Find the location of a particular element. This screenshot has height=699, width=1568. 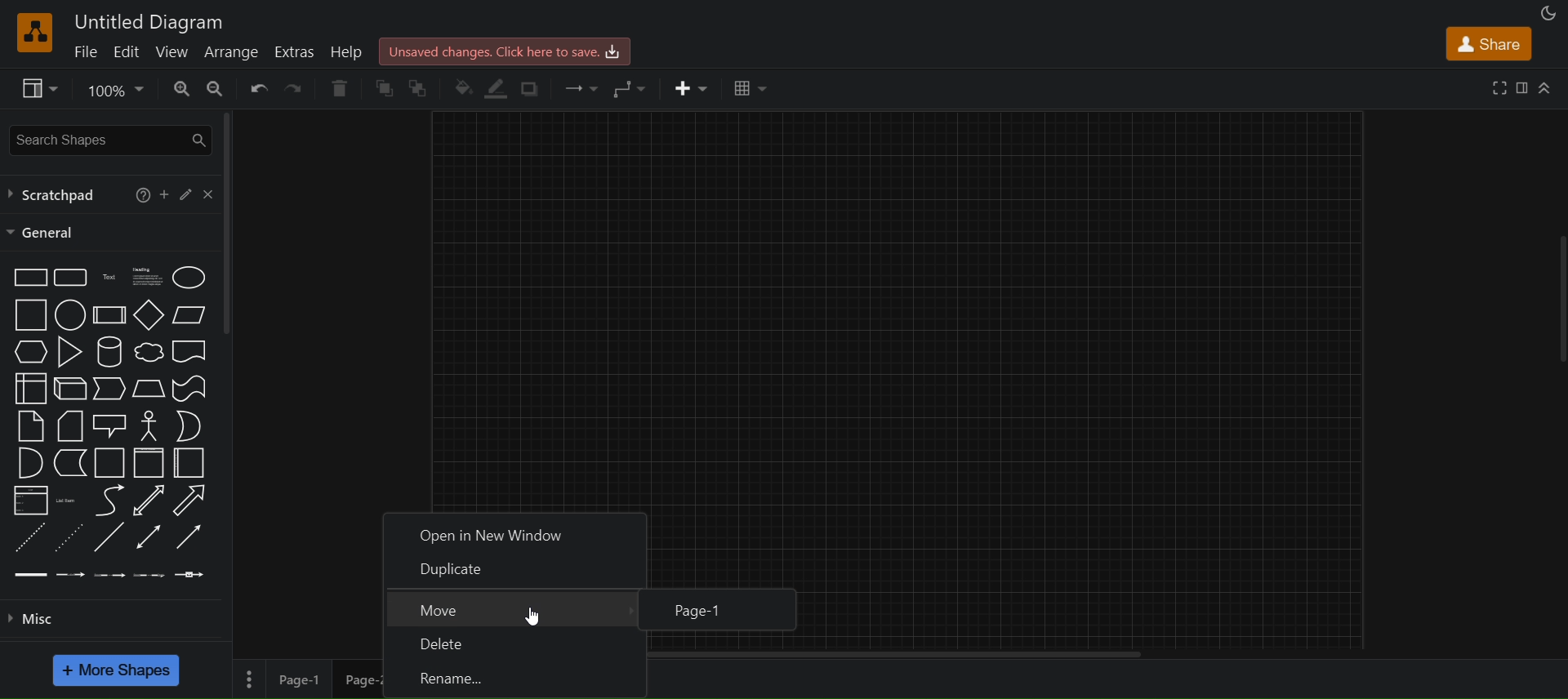

step is located at coordinates (109, 390).